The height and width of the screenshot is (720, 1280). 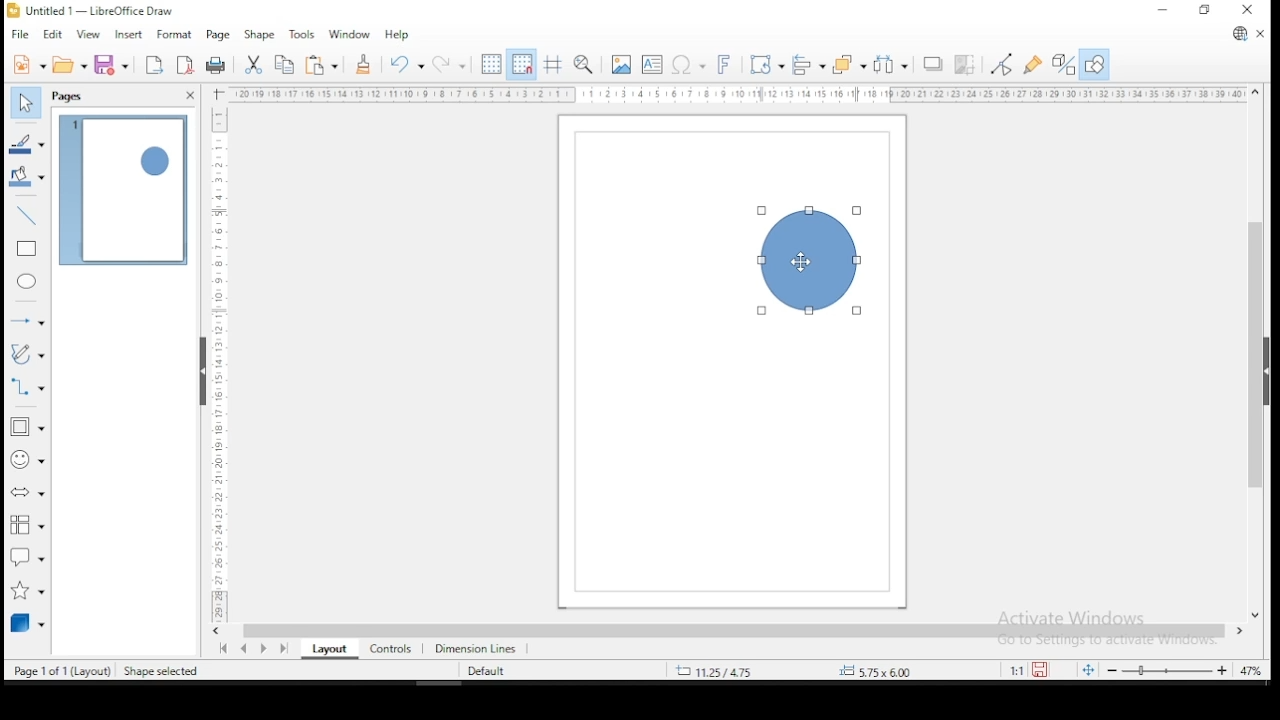 What do you see at coordinates (398, 34) in the screenshot?
I see `help` at bounding box center [398, 34].